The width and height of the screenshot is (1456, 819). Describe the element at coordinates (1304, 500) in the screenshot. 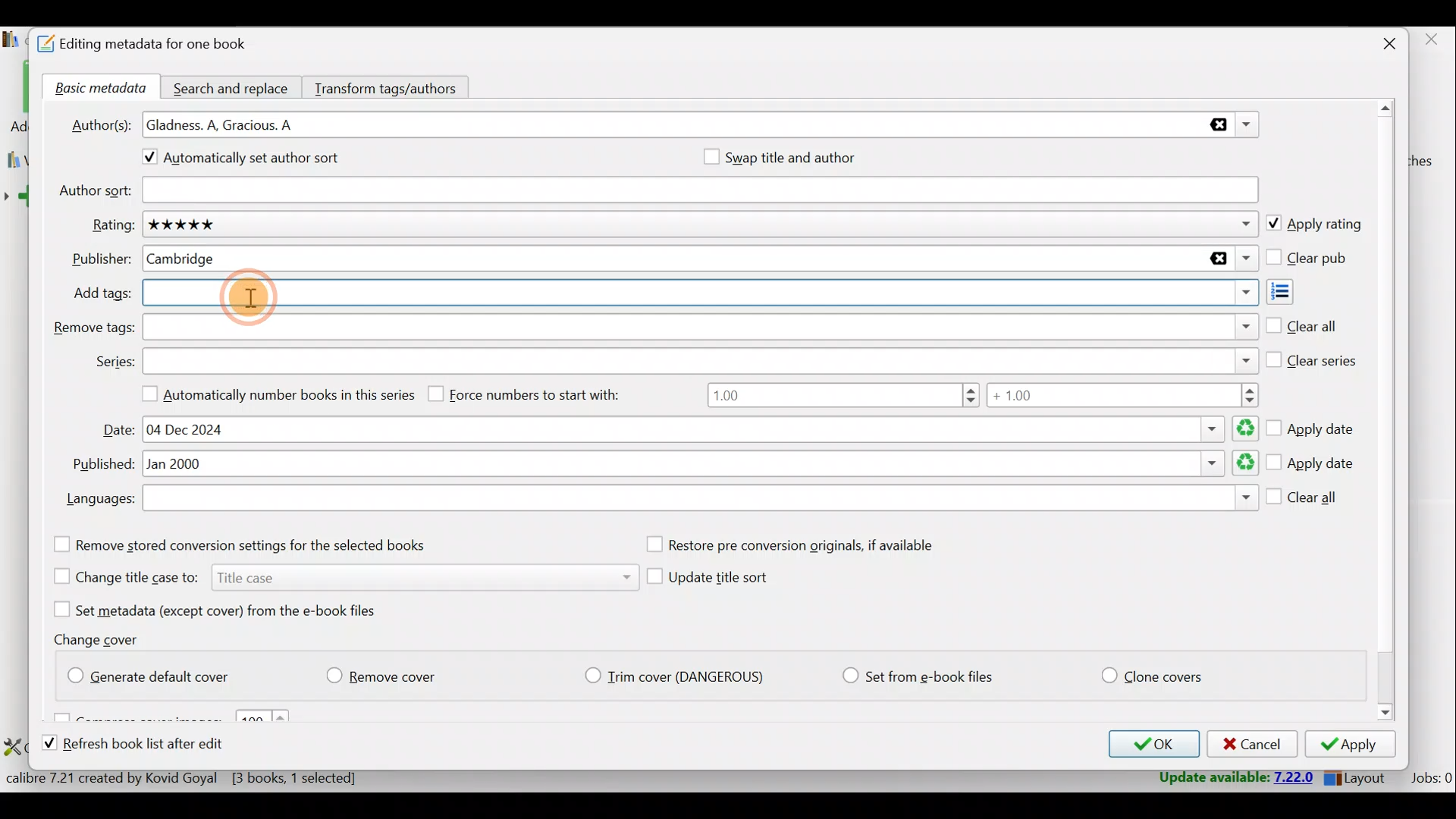

I see `Clear all` at that location.